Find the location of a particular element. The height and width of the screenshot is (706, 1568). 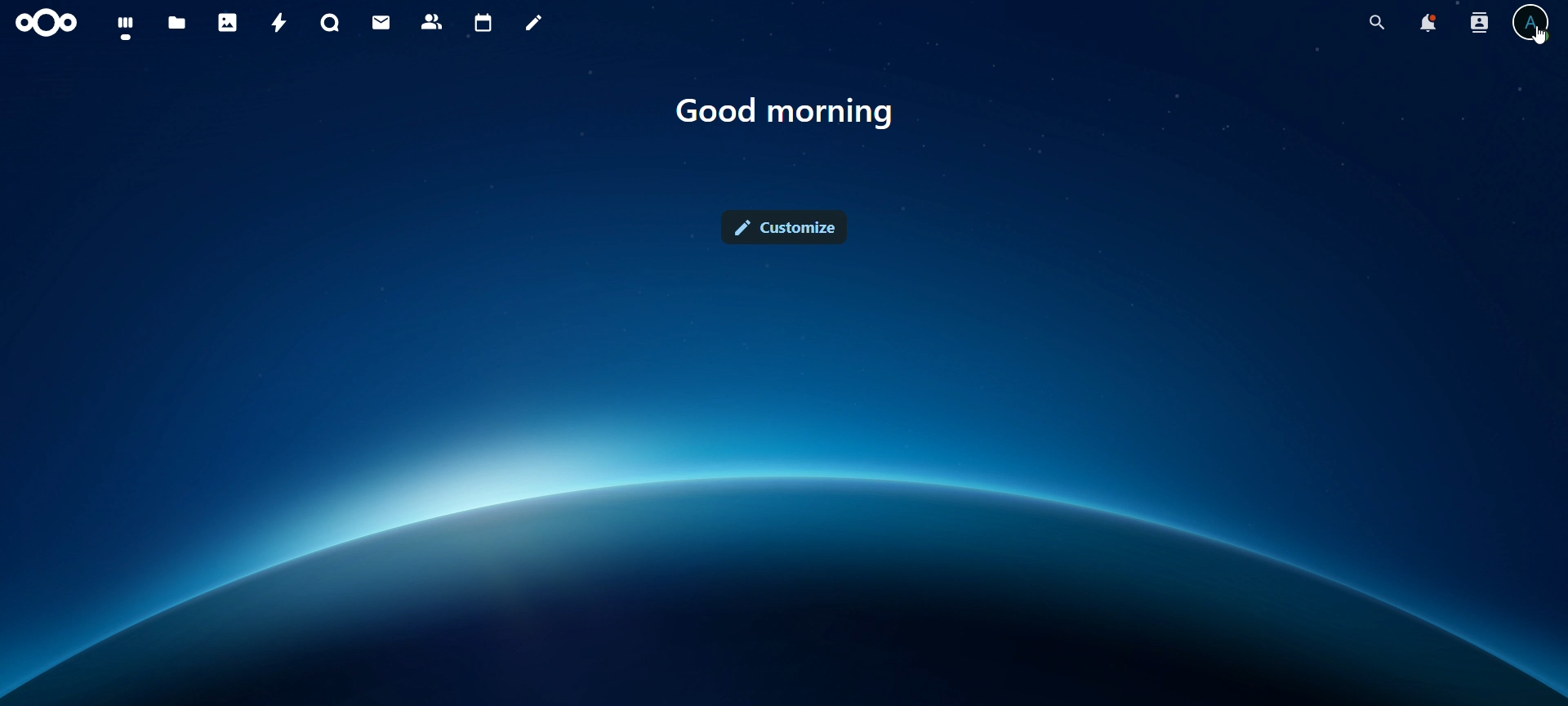

contact is located at coordinates (435, 23).